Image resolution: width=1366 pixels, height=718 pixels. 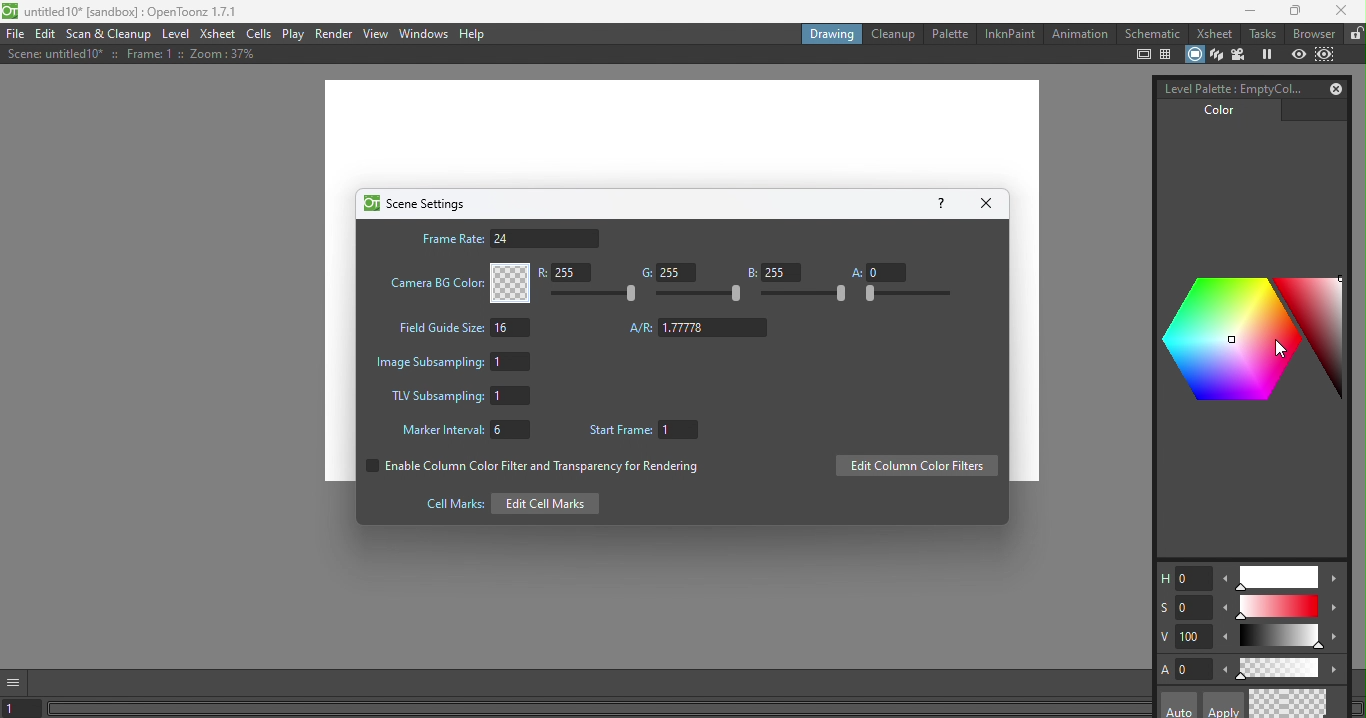 What do you see at coordinates (1299, 54) in the screenshot?
I see `Preview` at bounding box center [1299, 54].